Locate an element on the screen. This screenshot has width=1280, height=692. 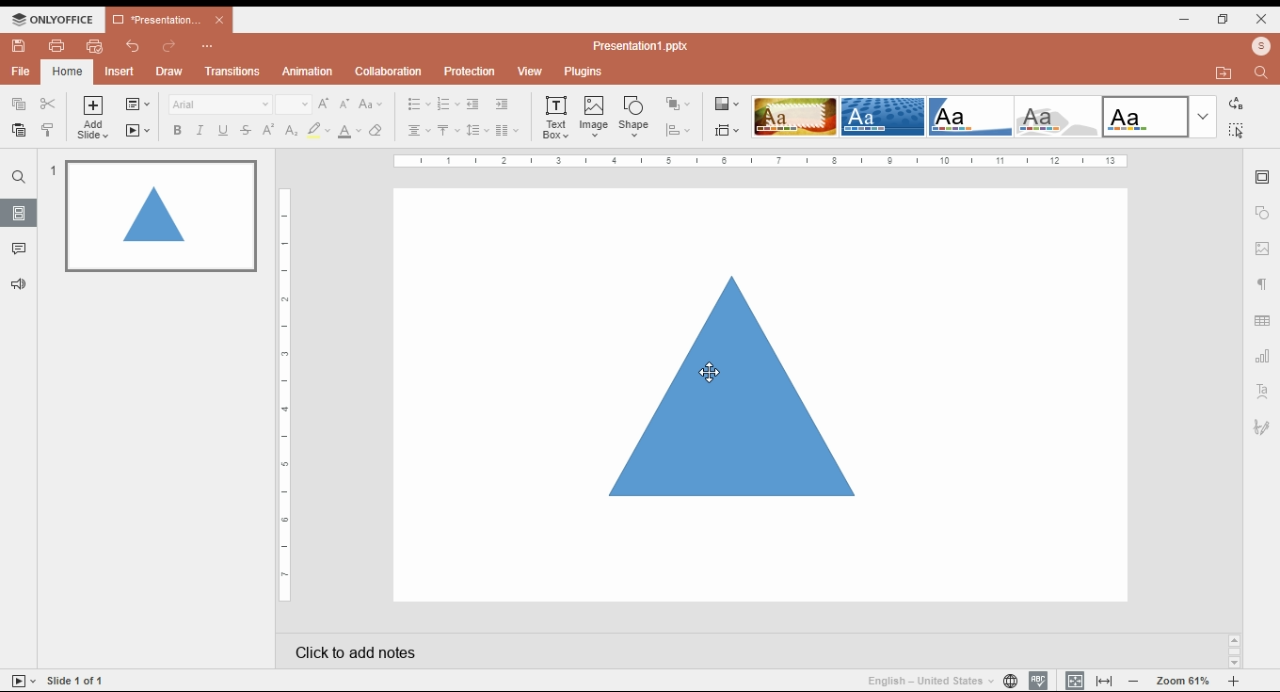
fit to slide is located at coordinates (1074, 681).